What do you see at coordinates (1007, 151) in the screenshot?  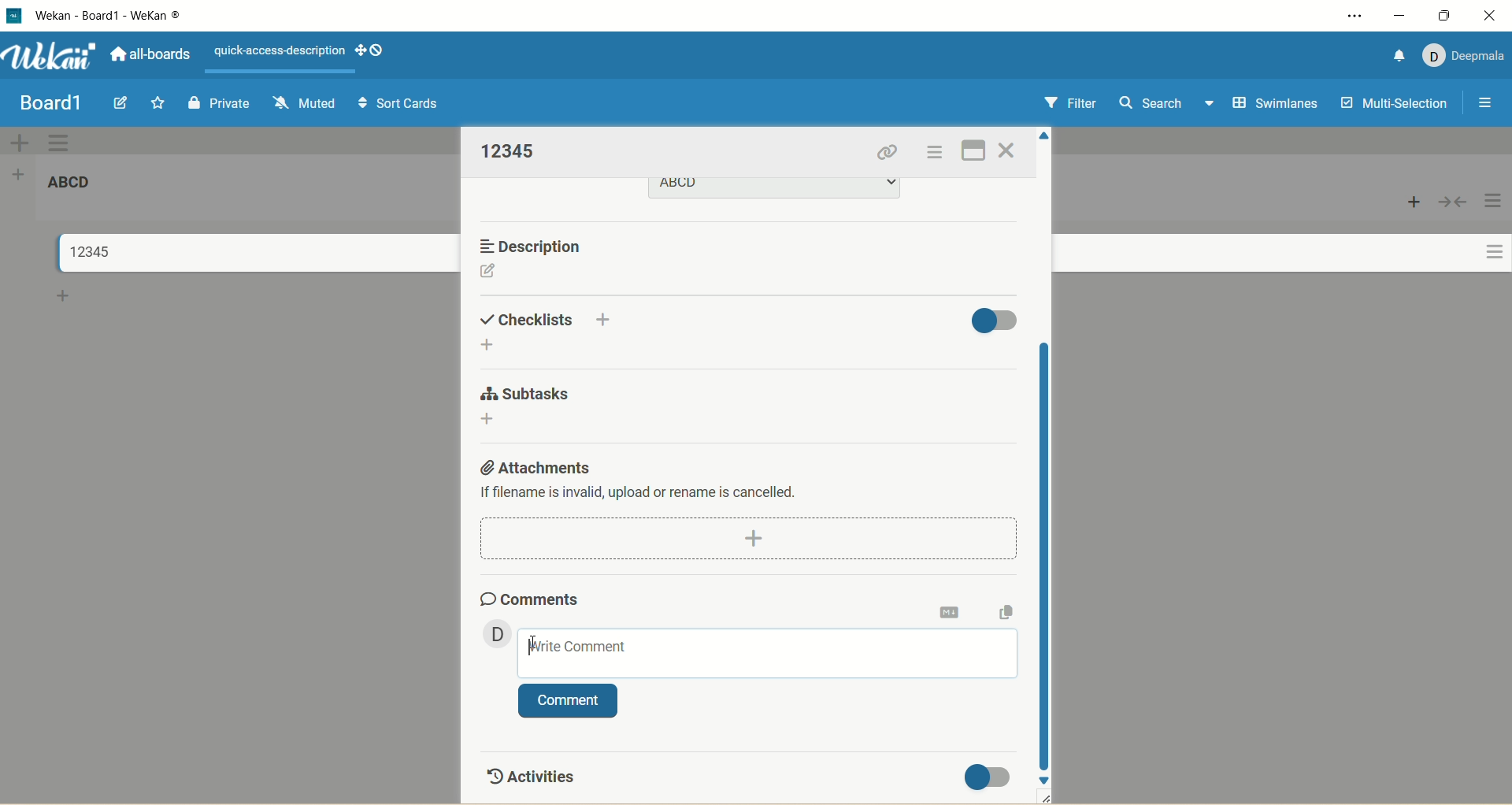 I see `close` at bounding box center [1007, 151].